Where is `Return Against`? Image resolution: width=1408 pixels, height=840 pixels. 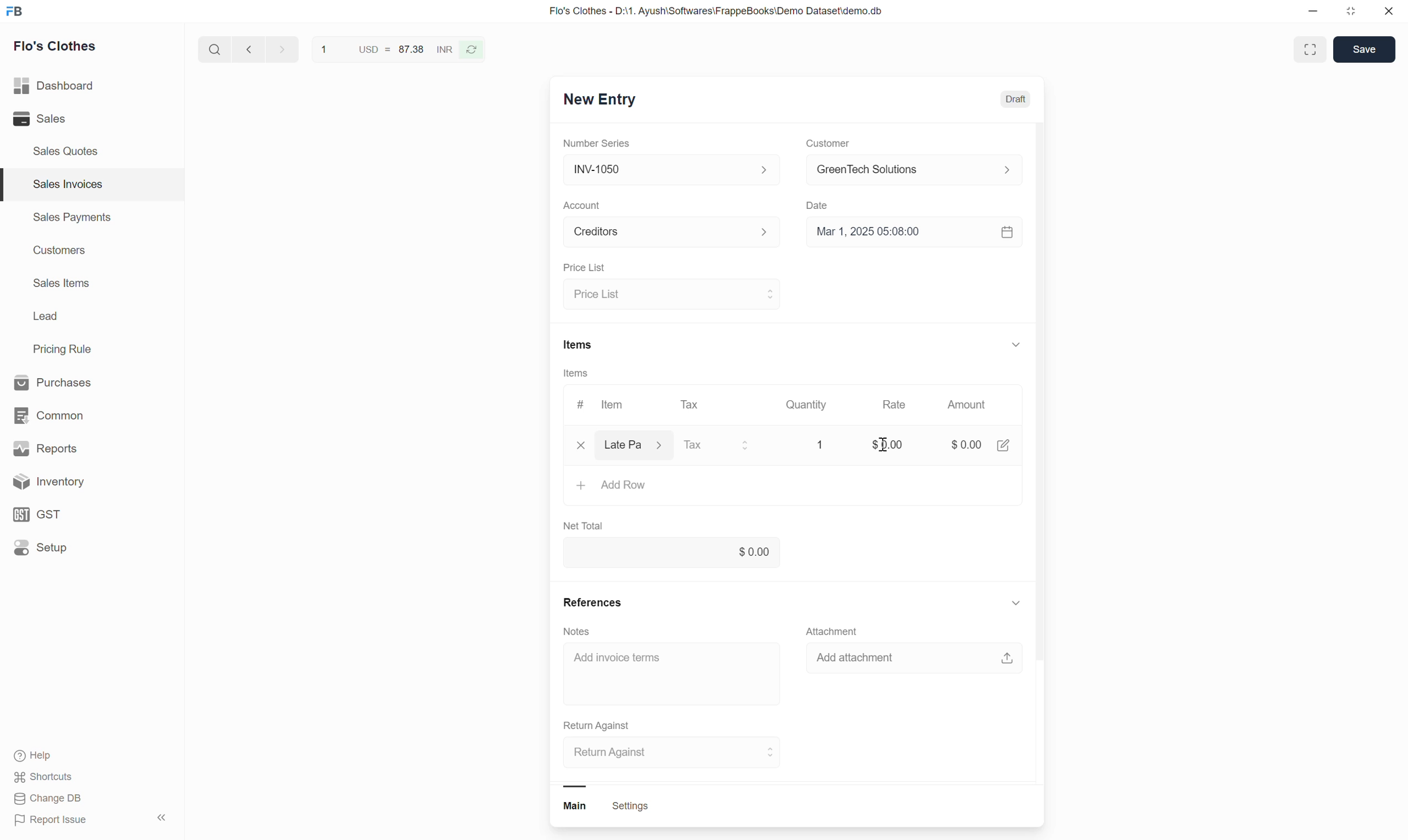
Return Against is located at coordinates (605, 725).